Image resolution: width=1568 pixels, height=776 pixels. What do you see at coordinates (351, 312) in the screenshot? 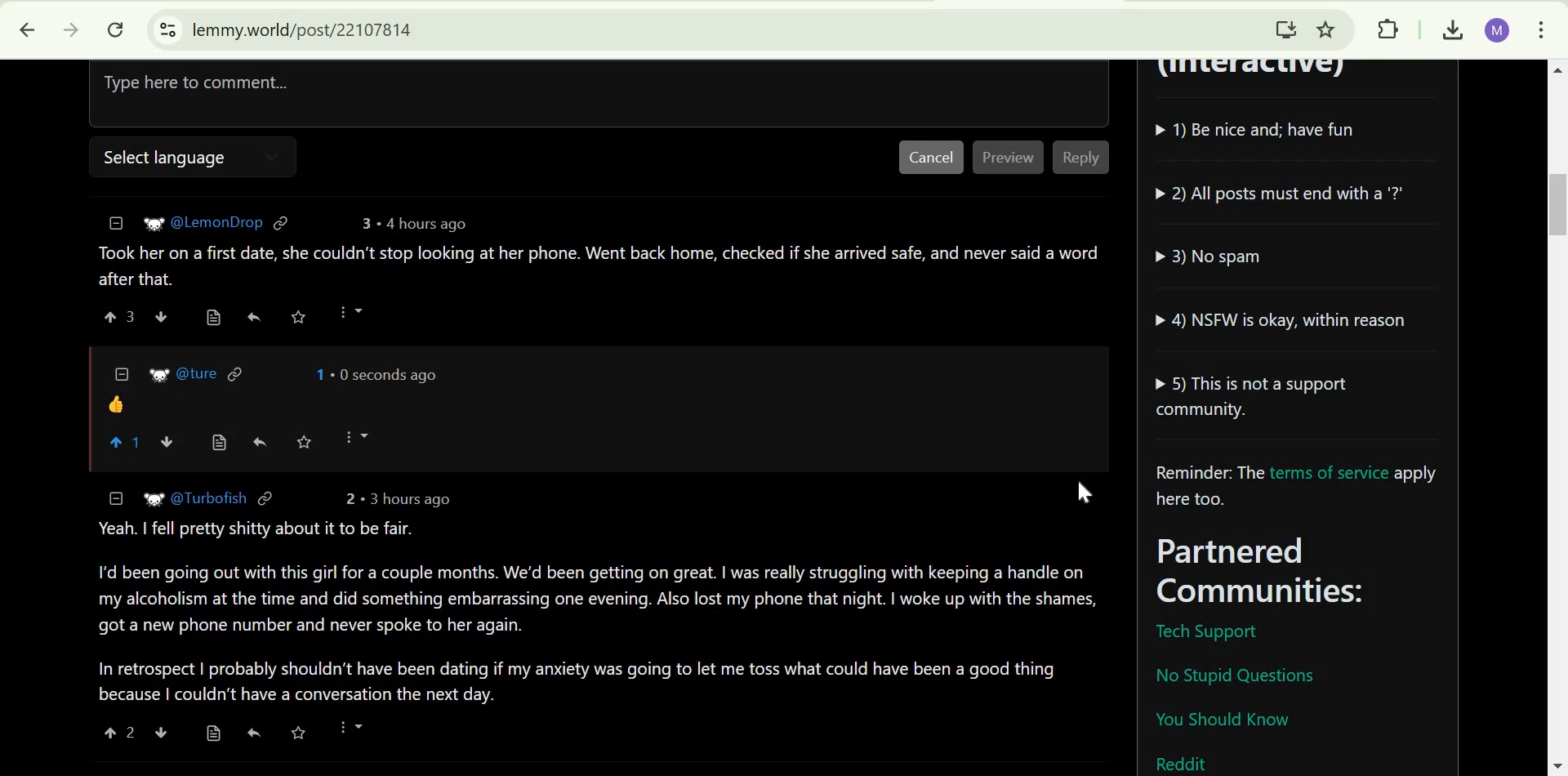
I see `more options` at bounding box center [351, 312].